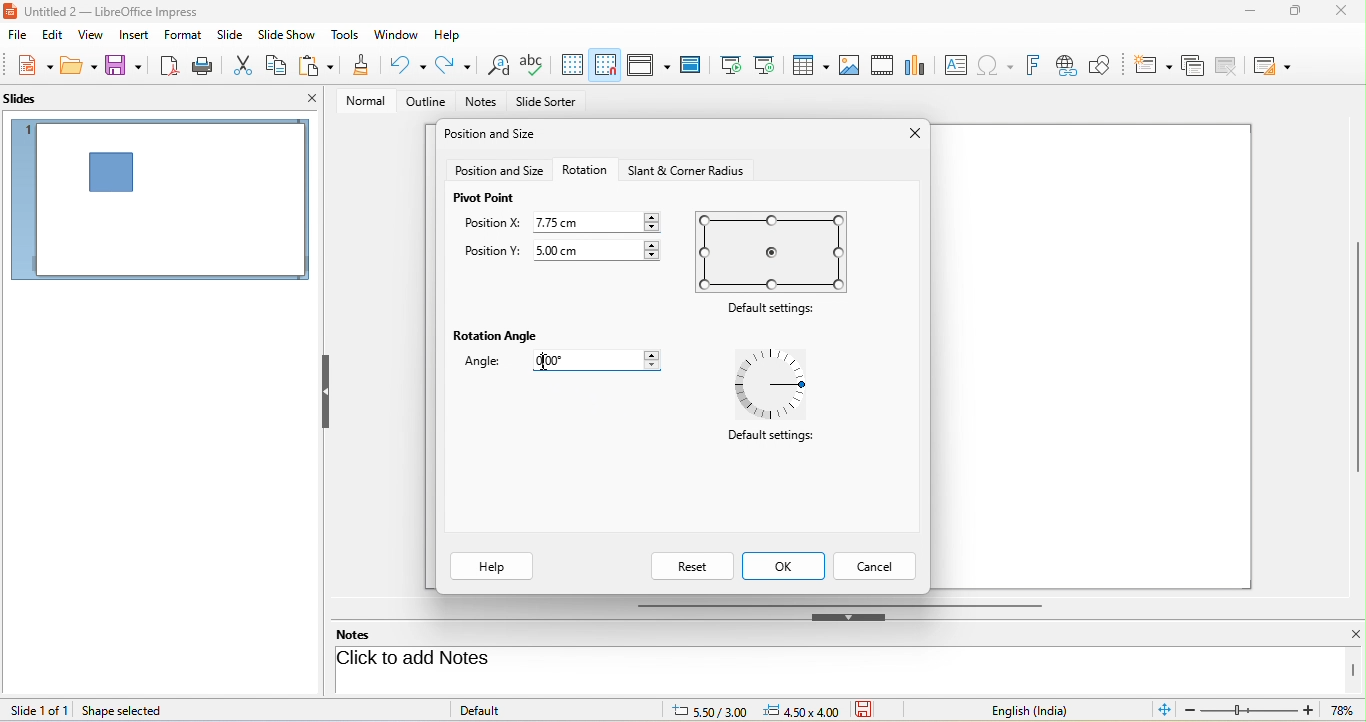 This screenshot has height=722, width=1366. Describe the element at coordinates (1273, 712) in the screenshot. I see `zoom` at that location.